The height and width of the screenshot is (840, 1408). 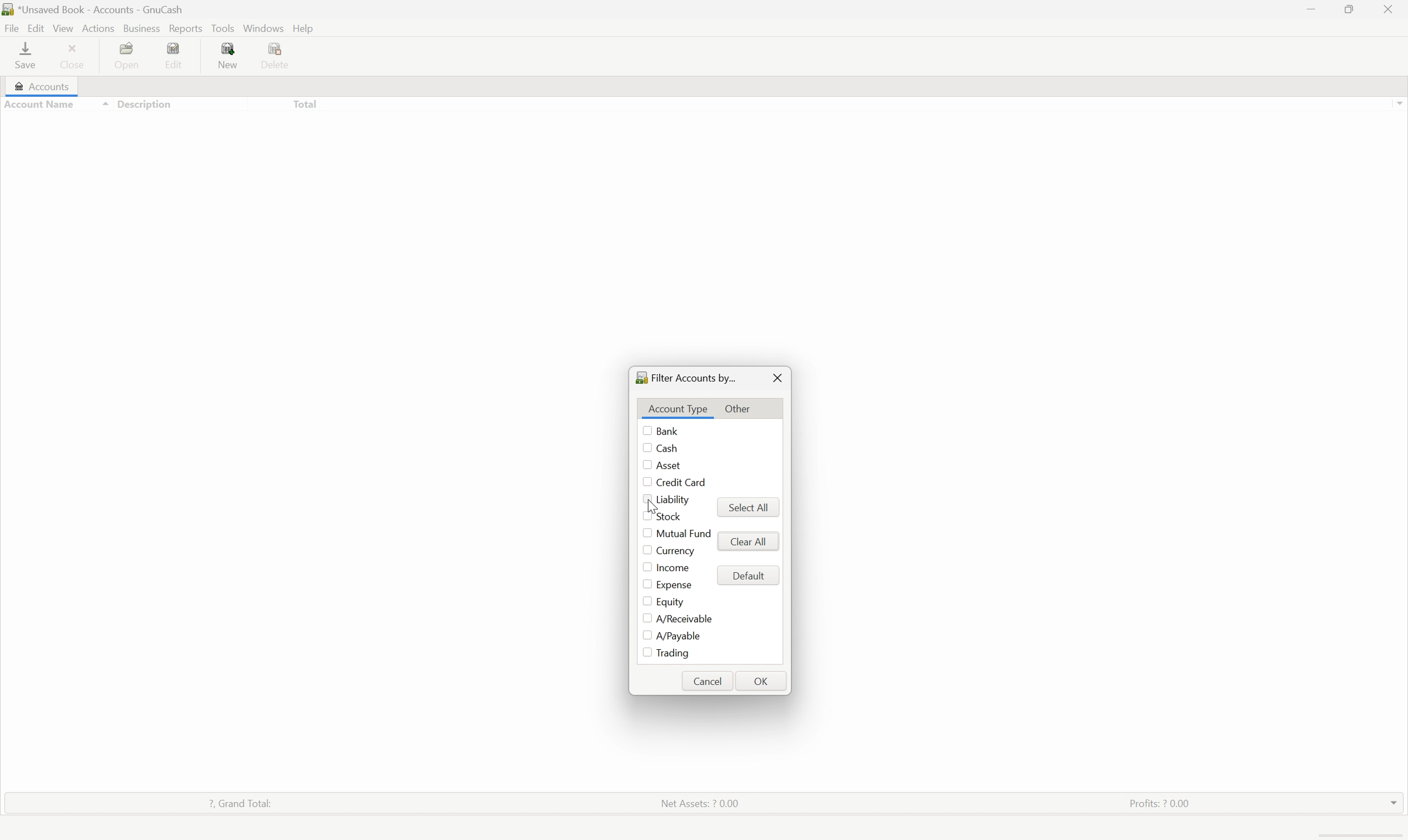 What do you see at coordinates (645, 448) in the screenshot?
I see `Checkbox` at bounding box center [645, 448].